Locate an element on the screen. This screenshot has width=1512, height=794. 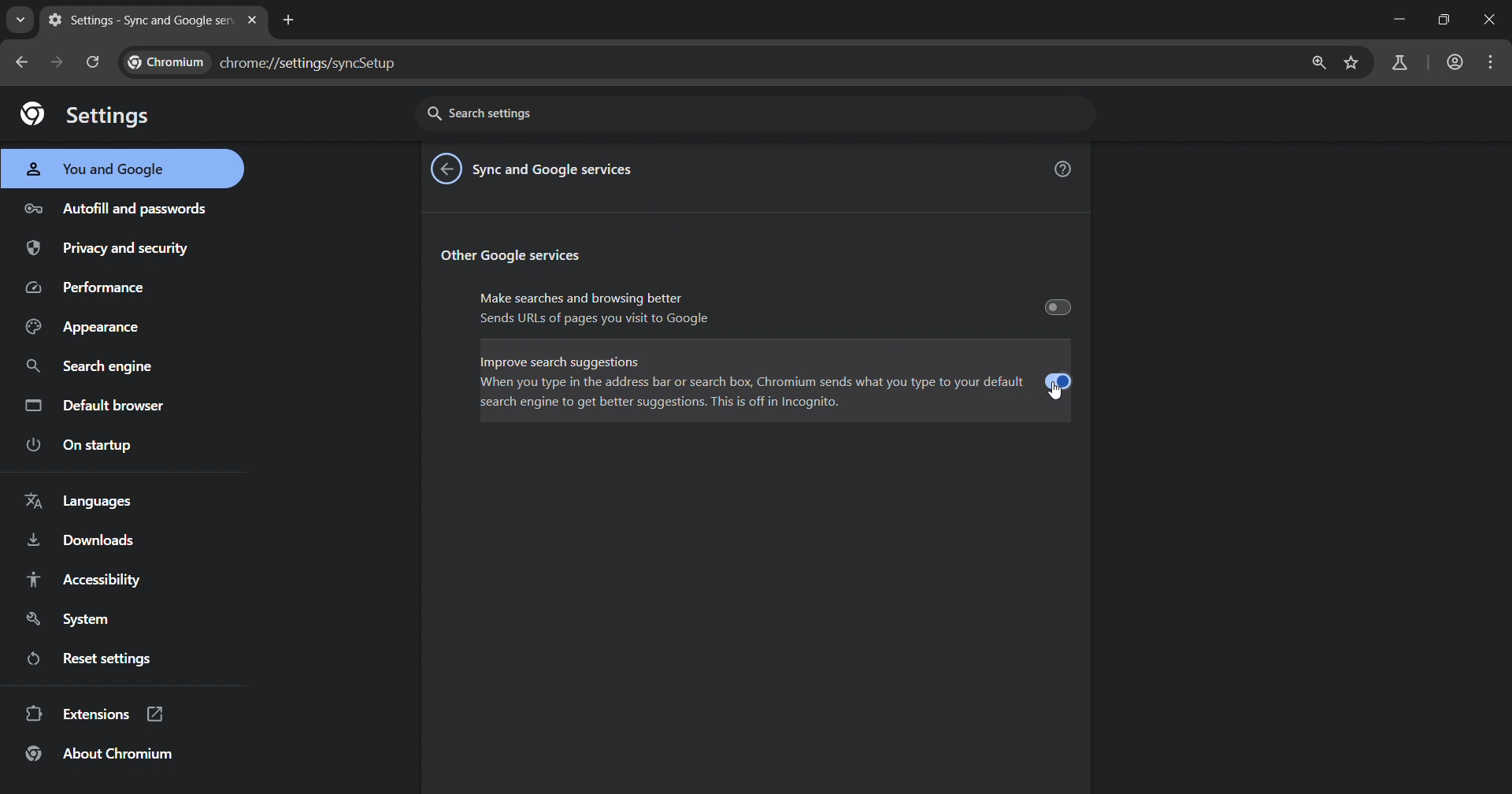
language is located at coordinates (77, 501).